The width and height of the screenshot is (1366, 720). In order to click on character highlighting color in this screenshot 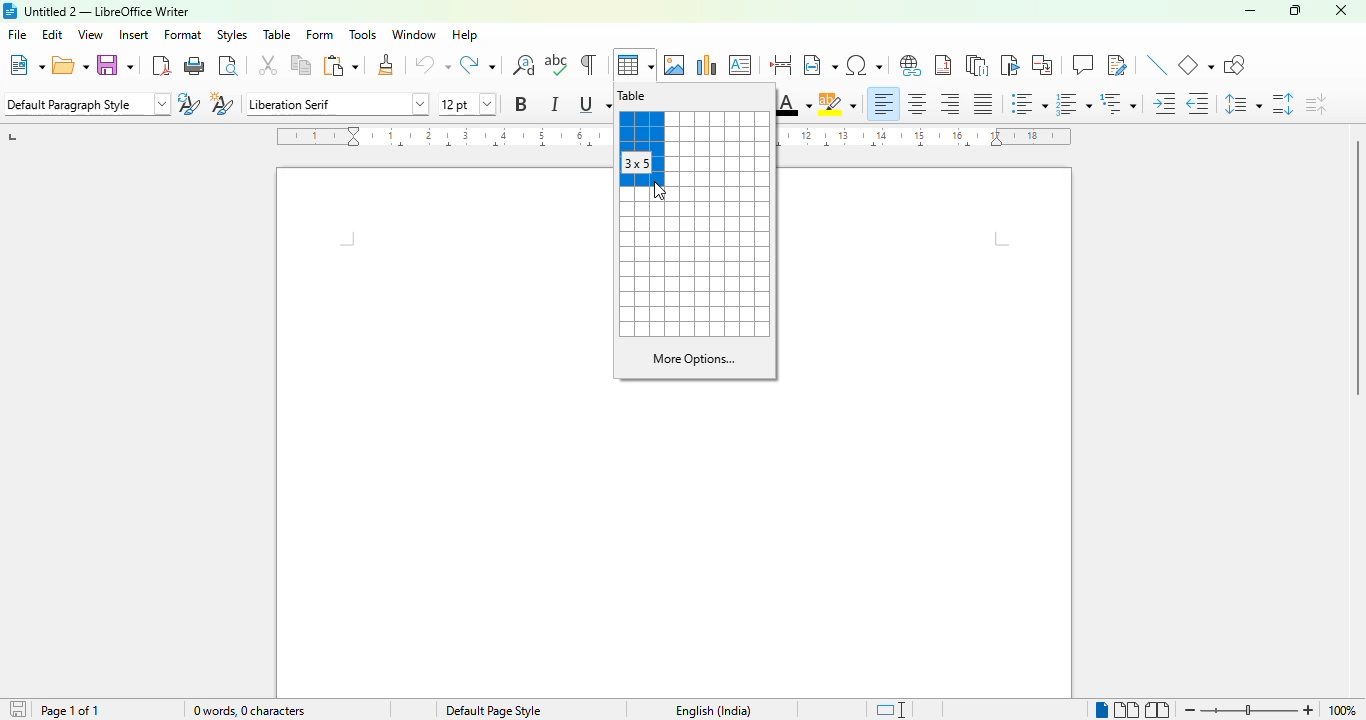, I will do `click(838, 105)`.